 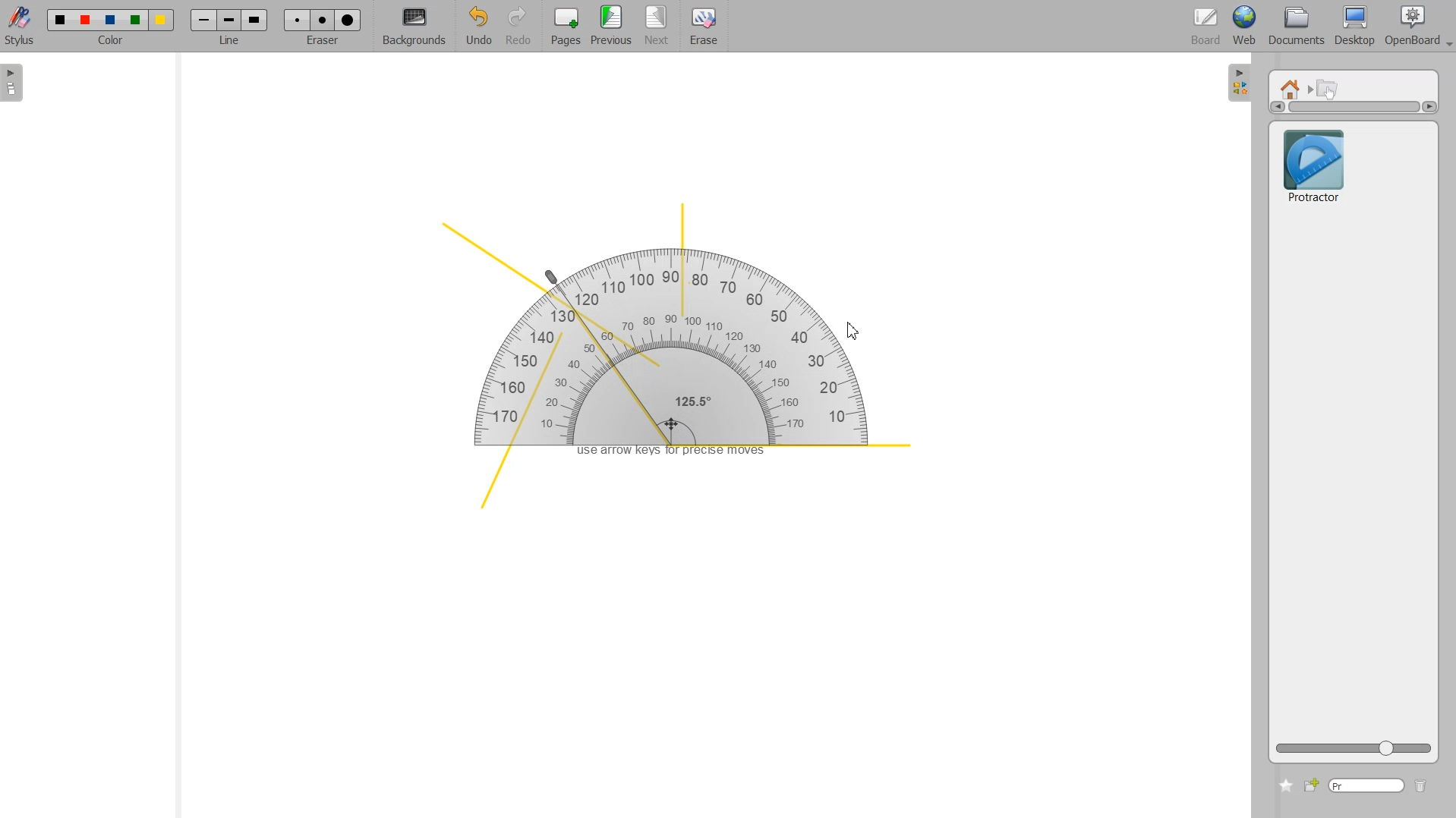 What do you see at coordinates (17, 83) in the screenshot?
I see `Sidebar` at bounding box center [17, 83].